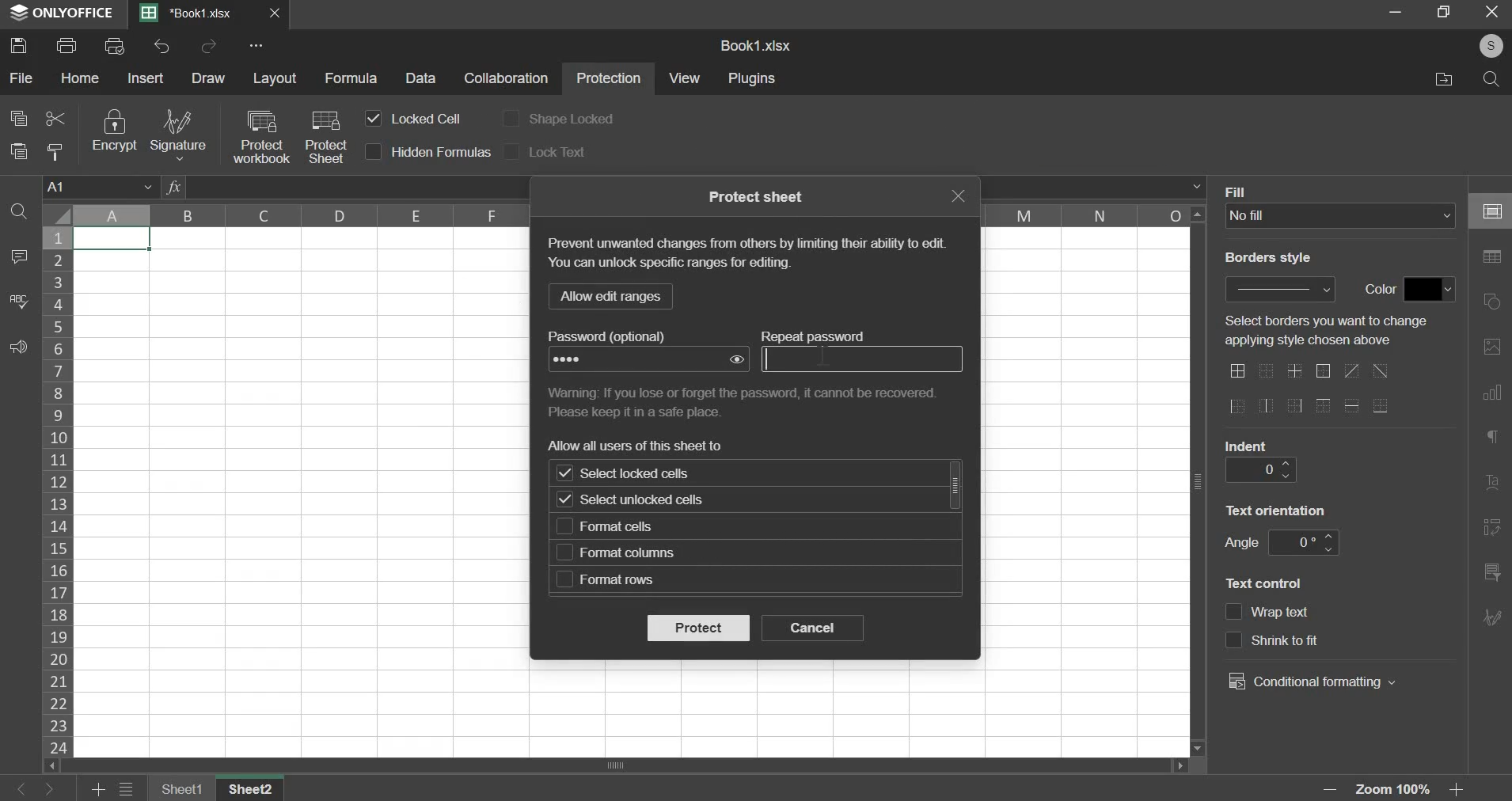 The image size is (1512, 801). What do you see at coordinates (1491, 571) in the screenshot?
I see `right side bar` at bounding box center [1491, 571].